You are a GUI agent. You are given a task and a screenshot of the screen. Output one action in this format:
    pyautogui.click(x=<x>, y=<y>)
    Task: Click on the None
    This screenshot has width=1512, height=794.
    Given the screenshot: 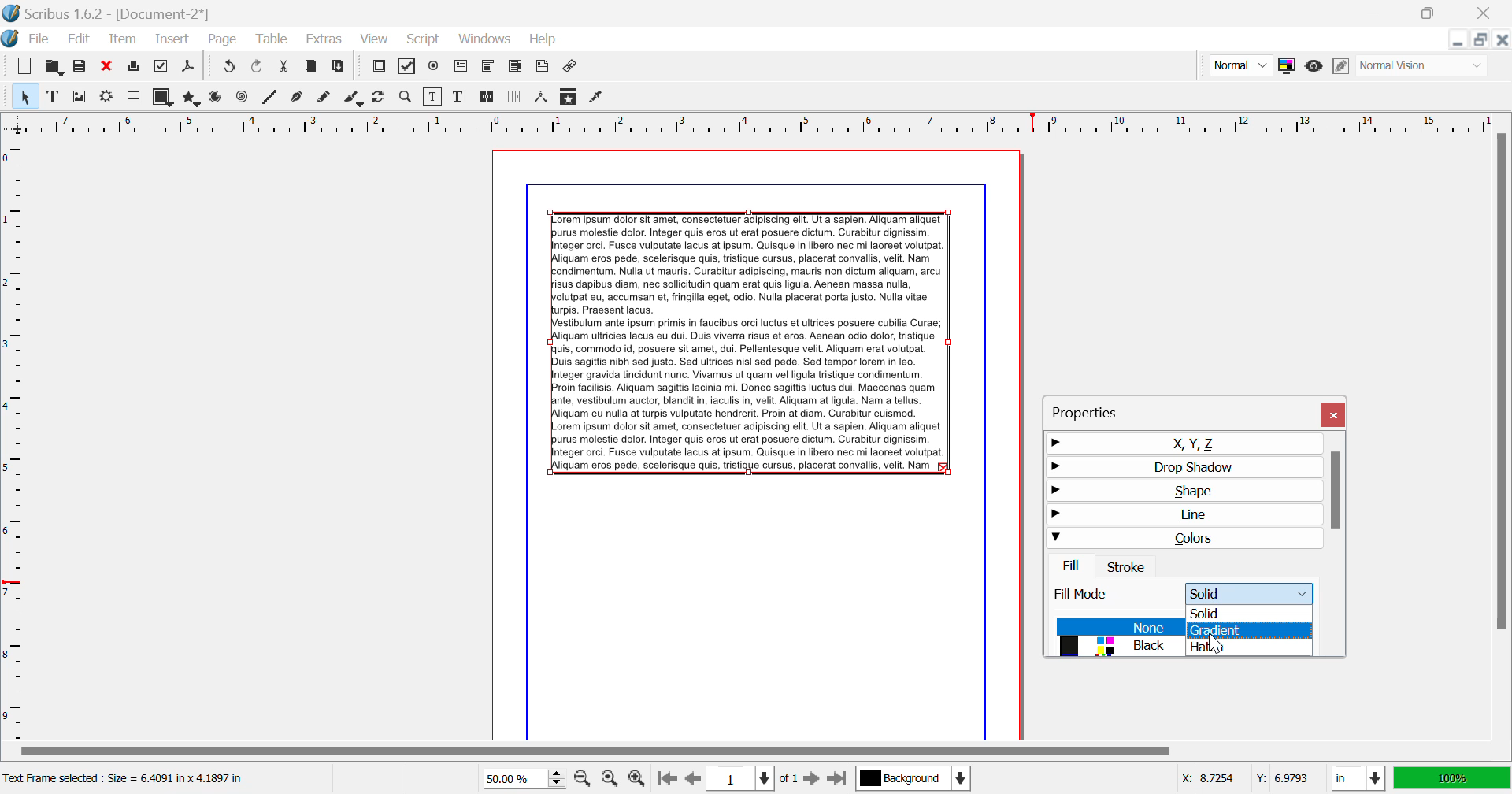 What is the action you would take?
    pyautogui.click(x=1118, y=627)
    